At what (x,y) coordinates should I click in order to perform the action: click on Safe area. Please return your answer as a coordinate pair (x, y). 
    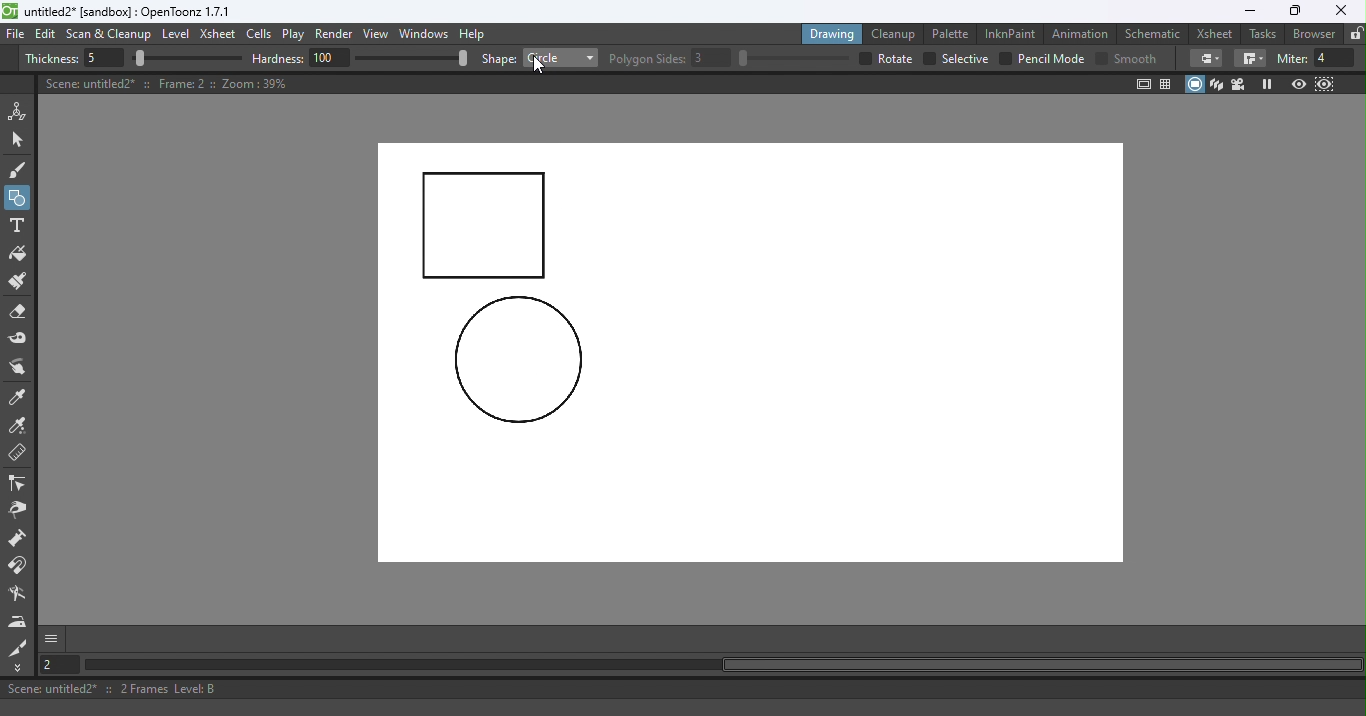
    Looking at the image, I should click on (1142, 84).